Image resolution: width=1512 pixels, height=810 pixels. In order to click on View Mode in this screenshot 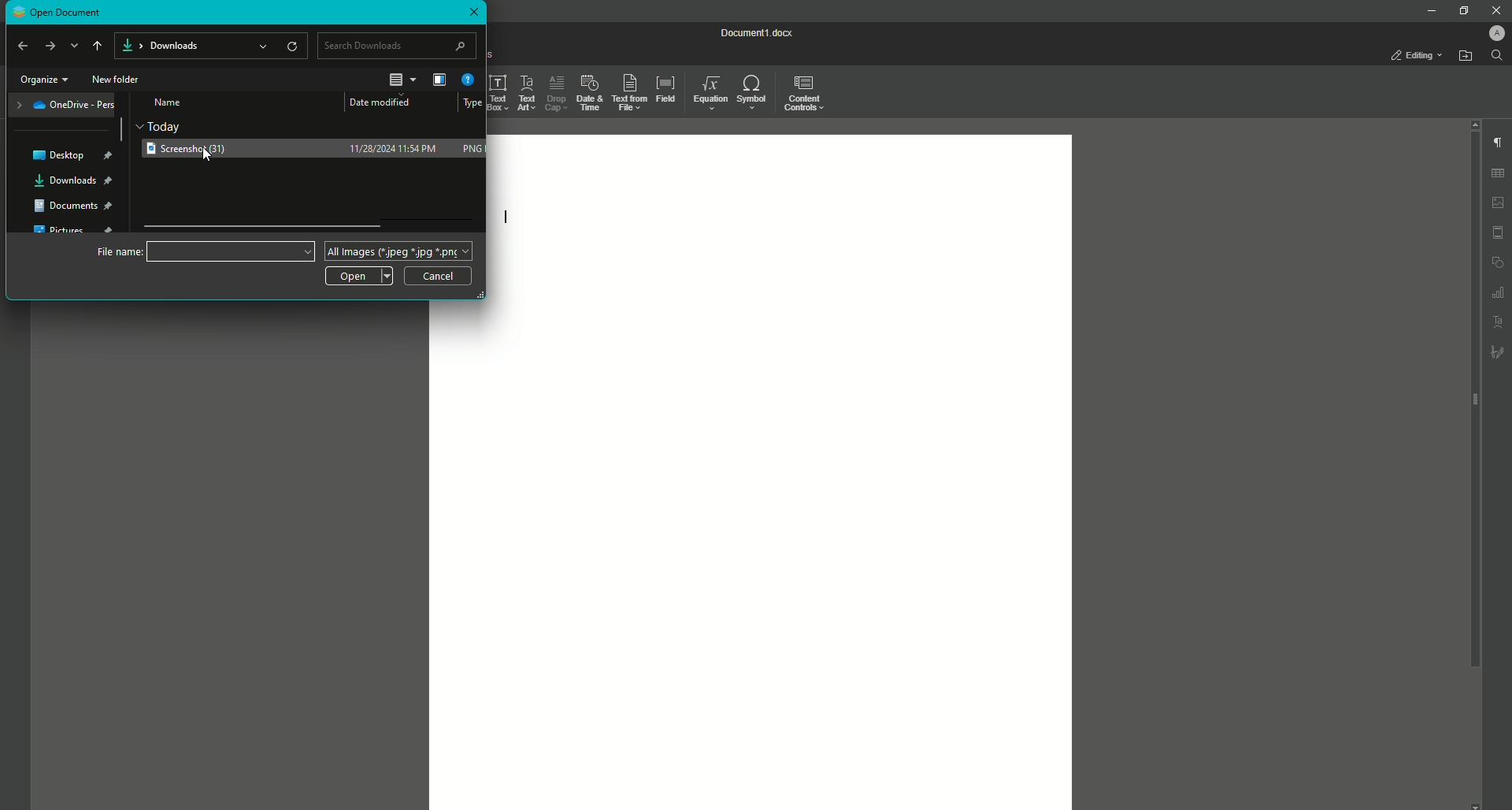, I will do `click(402, 79)`.